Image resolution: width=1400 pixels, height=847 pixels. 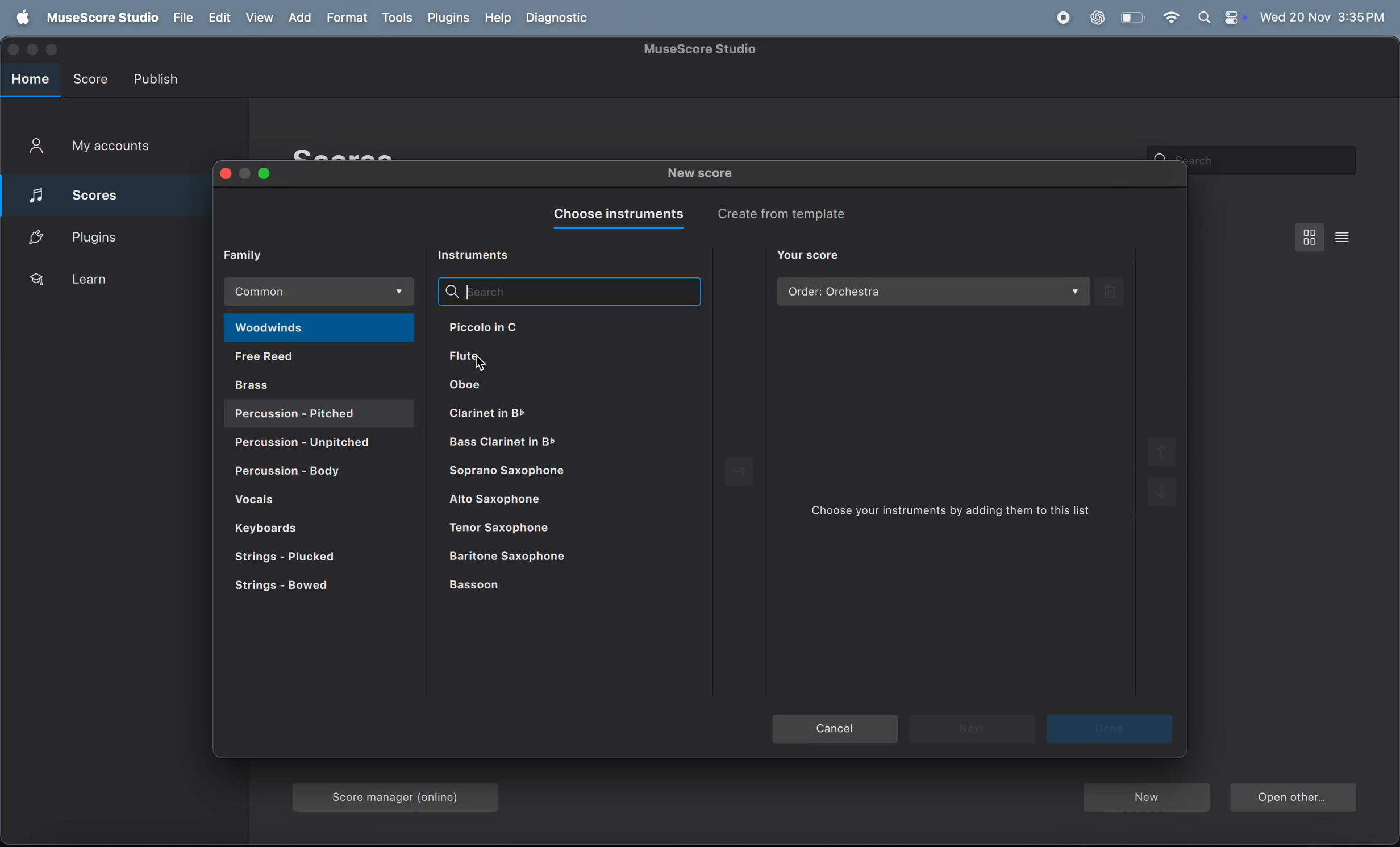 I want to click on maximize, so click(x=55, y=50).